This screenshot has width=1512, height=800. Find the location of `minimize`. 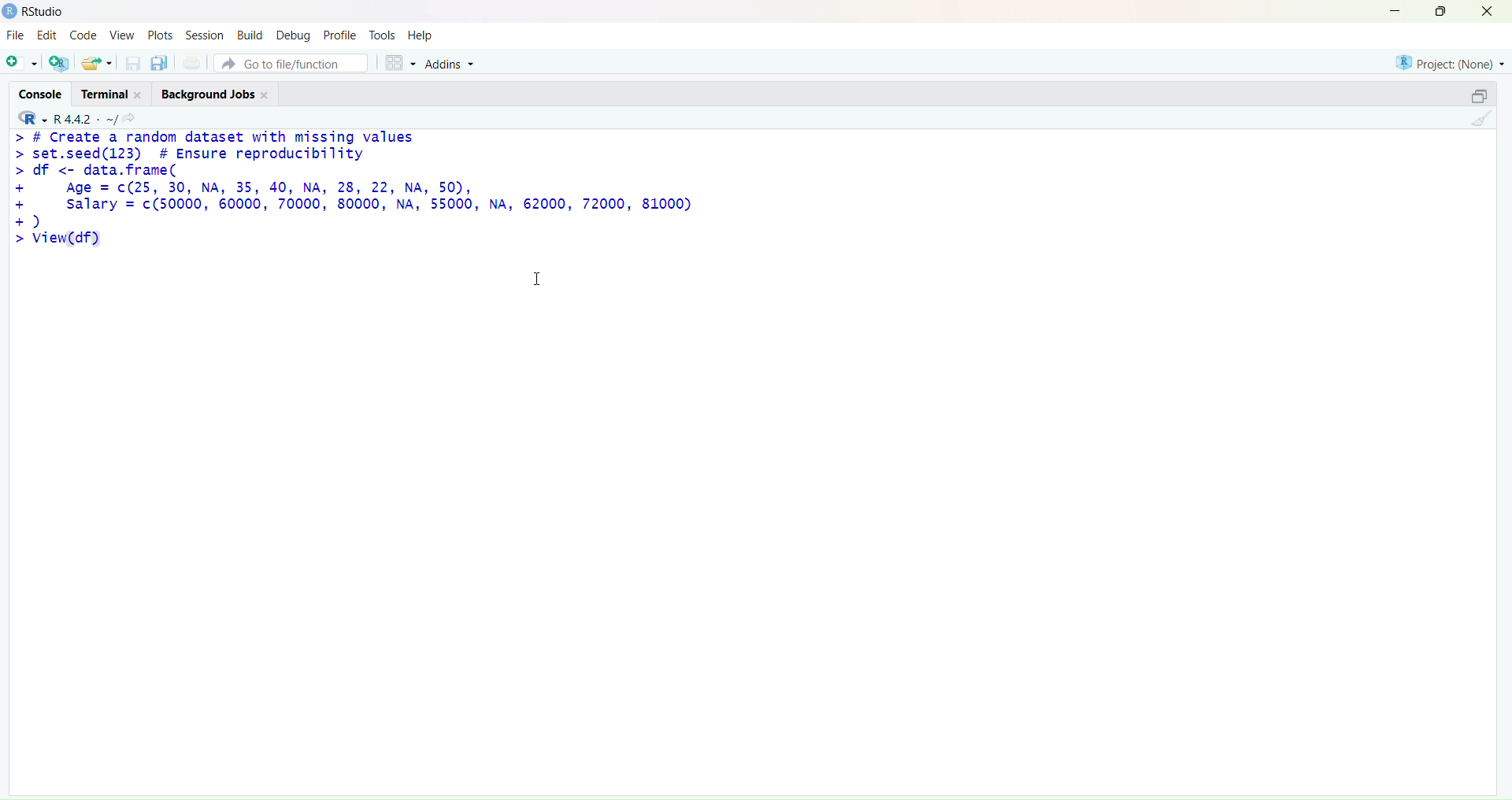

minimize is located at coordinates (1390, 10).